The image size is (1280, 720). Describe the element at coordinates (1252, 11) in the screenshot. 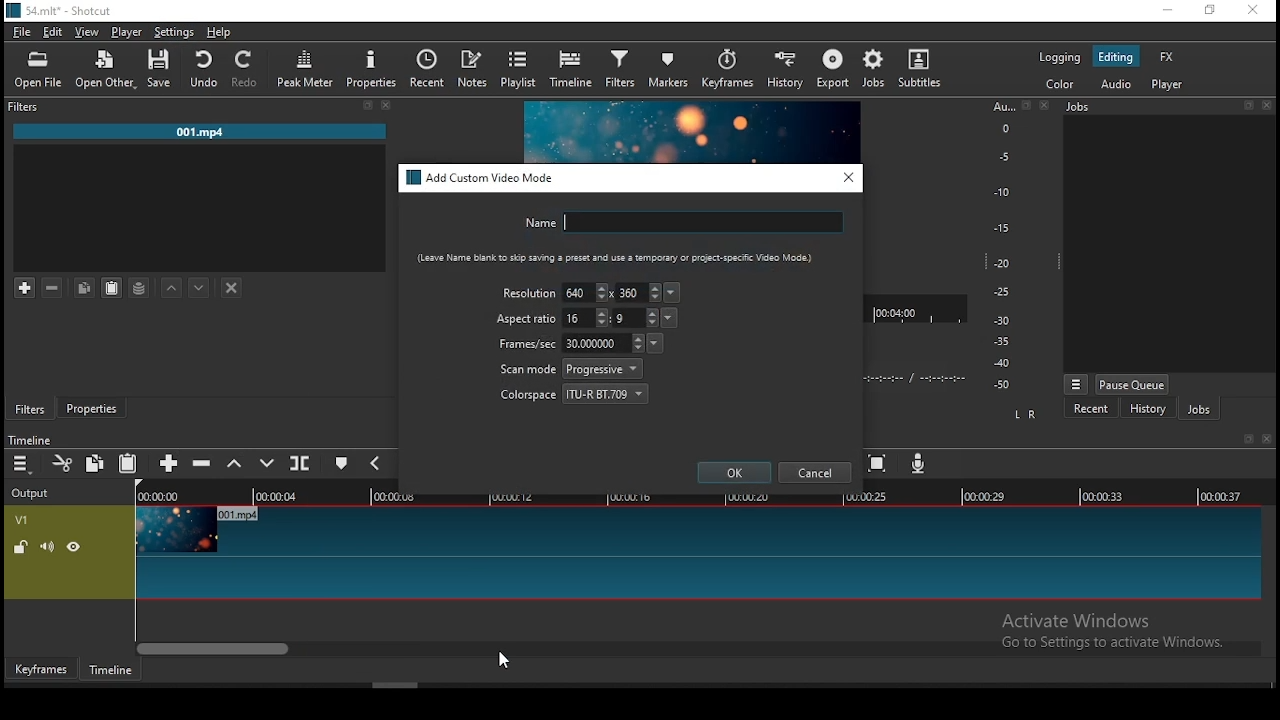

I see `close window` at that location.